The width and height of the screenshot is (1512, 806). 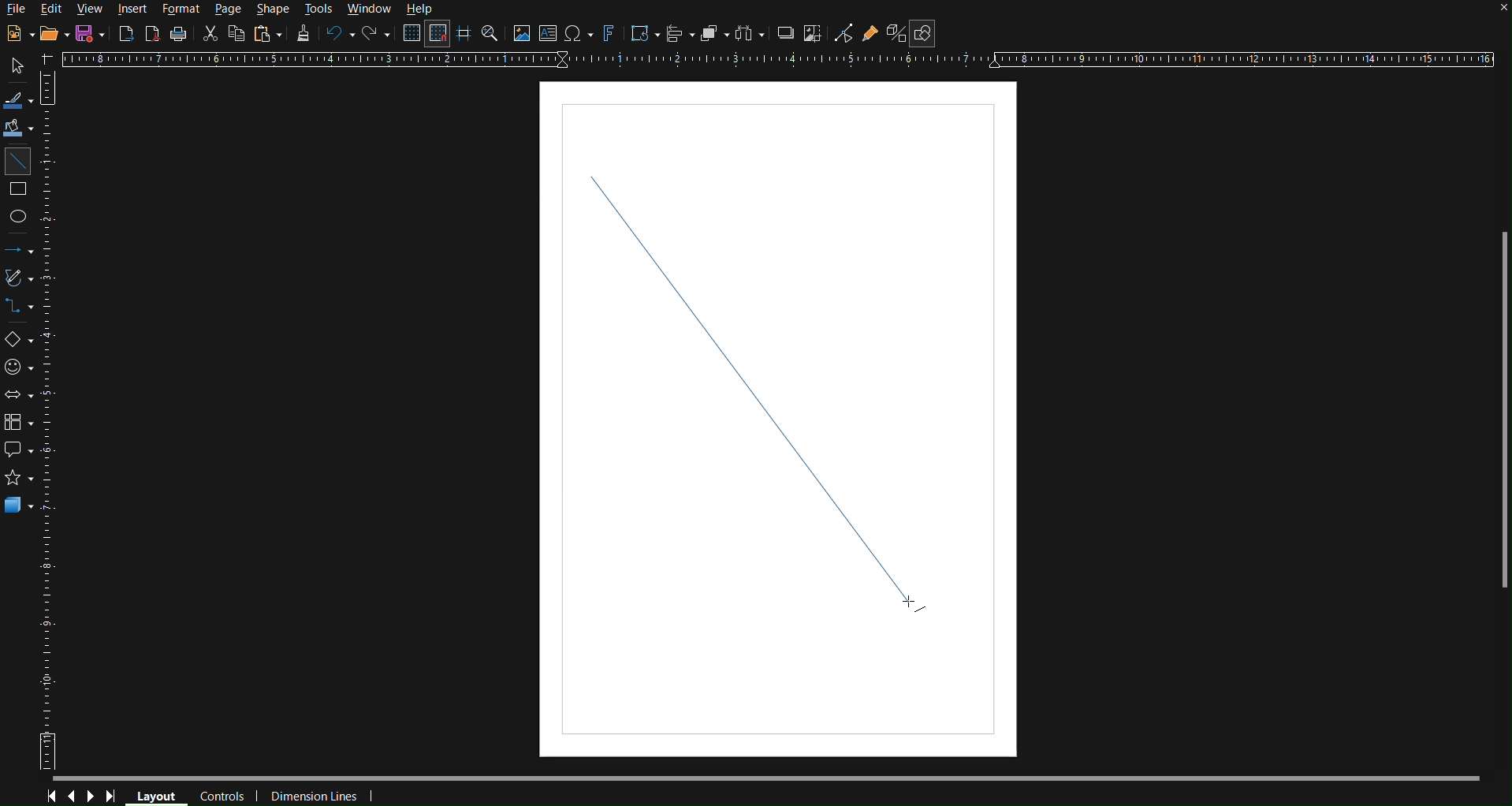 What do you see at coordinates (19, 67) in the screenshot?
I see `Select` at bounding box center [19, 67].